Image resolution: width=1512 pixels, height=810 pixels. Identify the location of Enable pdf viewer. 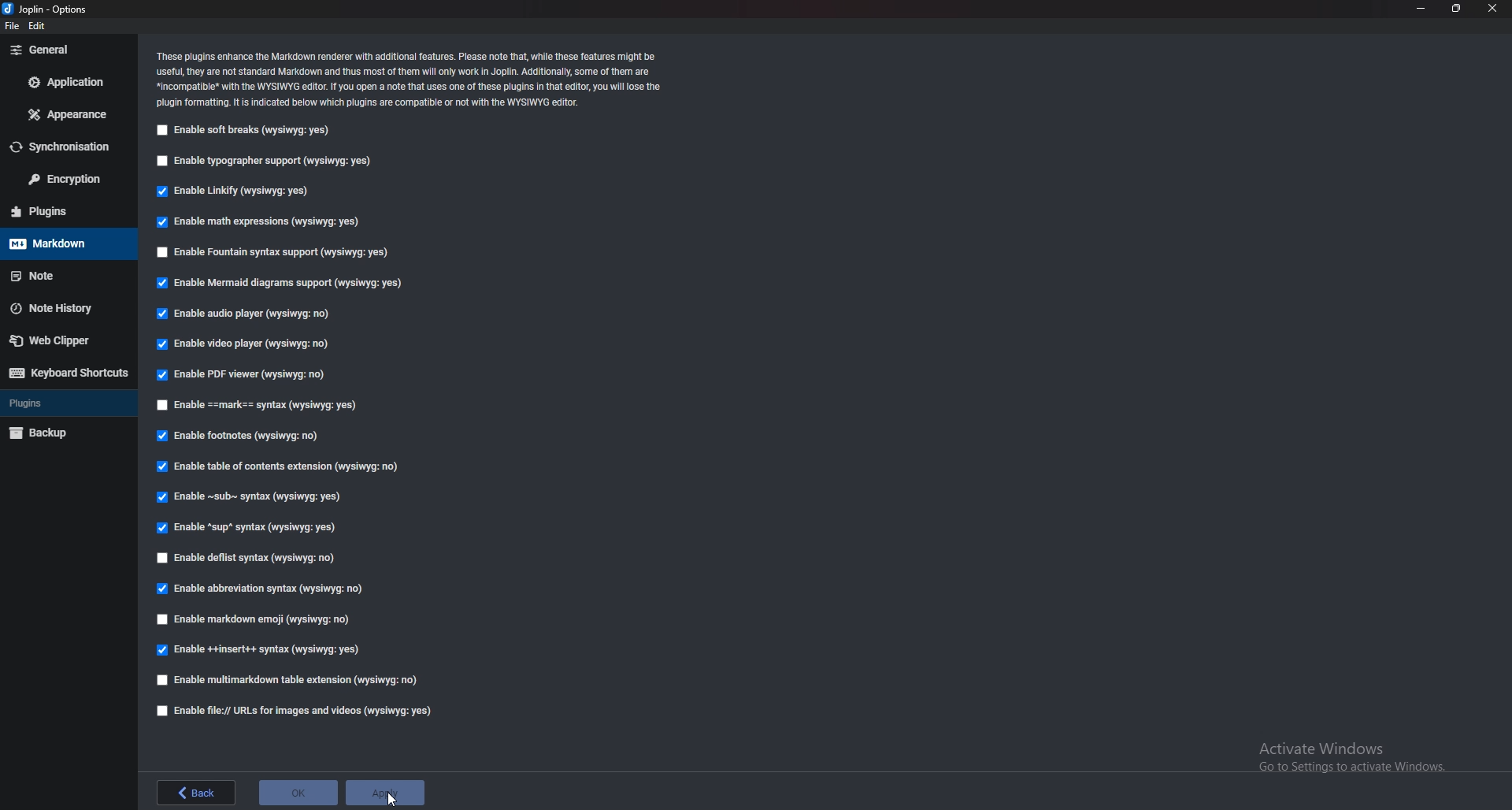
(246, 373).